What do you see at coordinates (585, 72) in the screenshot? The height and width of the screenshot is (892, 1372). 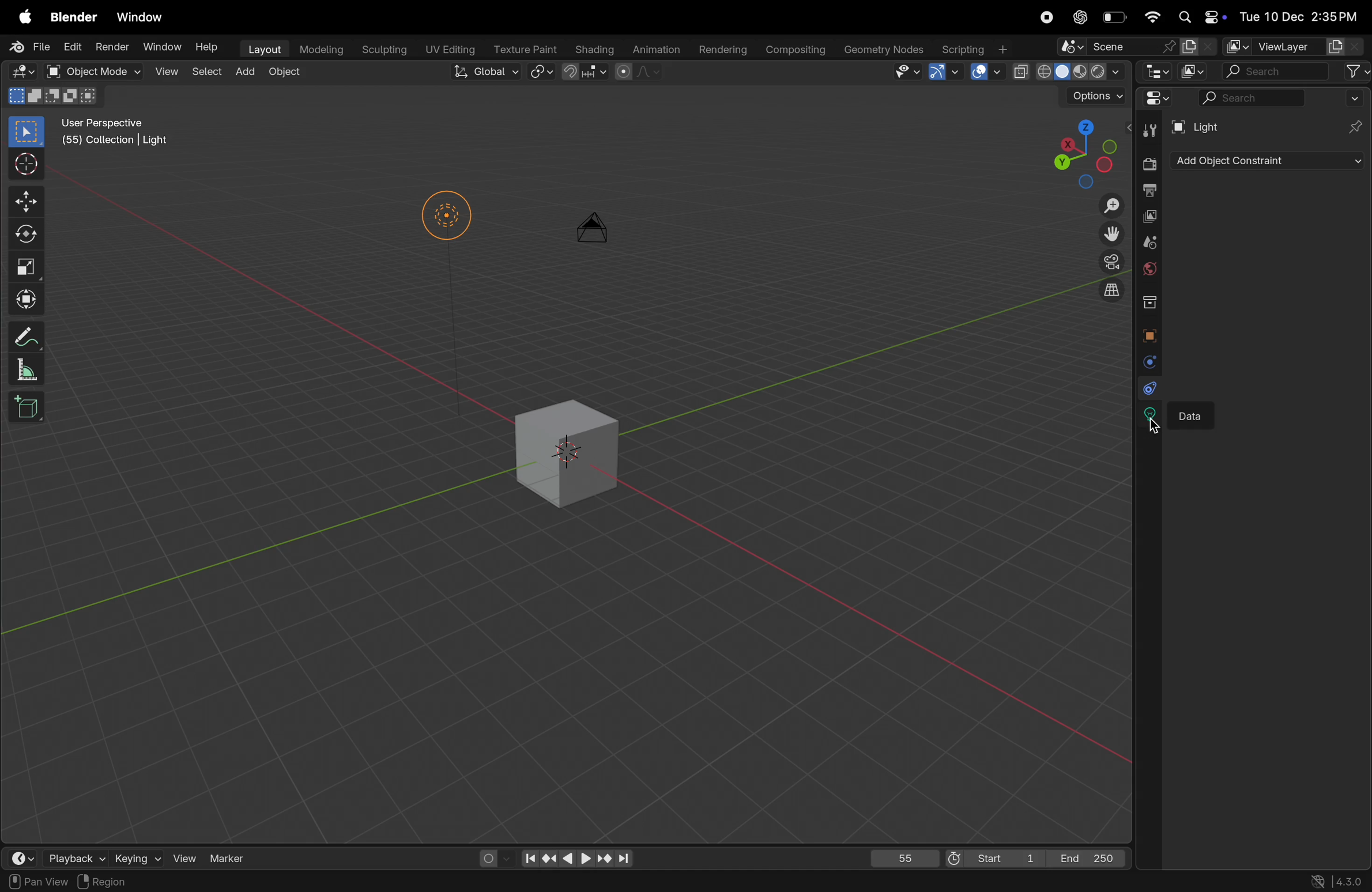 I see `snapping` at bounding box center [585, 72].